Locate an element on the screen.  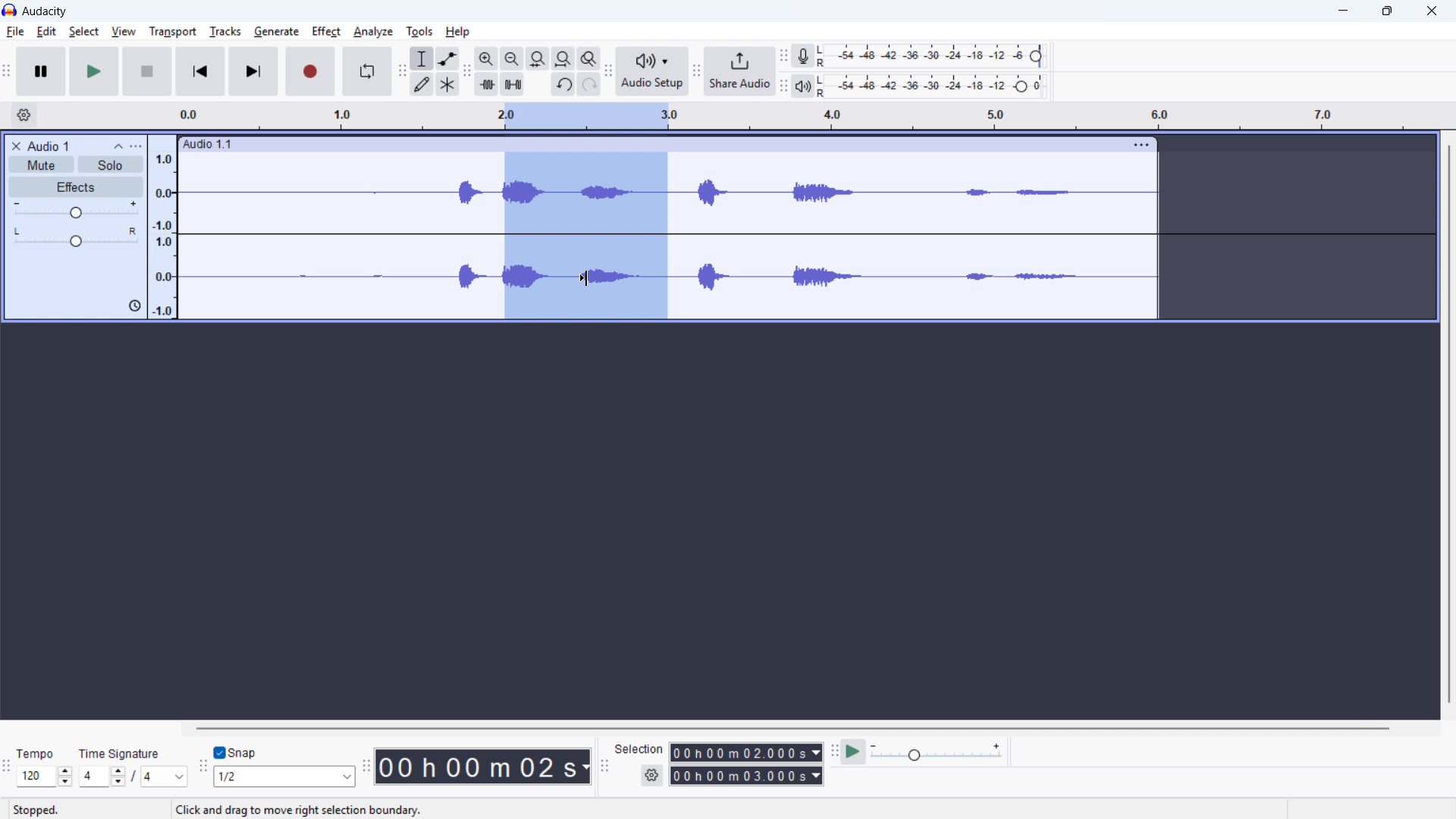
recording metre toolbar is located at coordinates (785, 55).